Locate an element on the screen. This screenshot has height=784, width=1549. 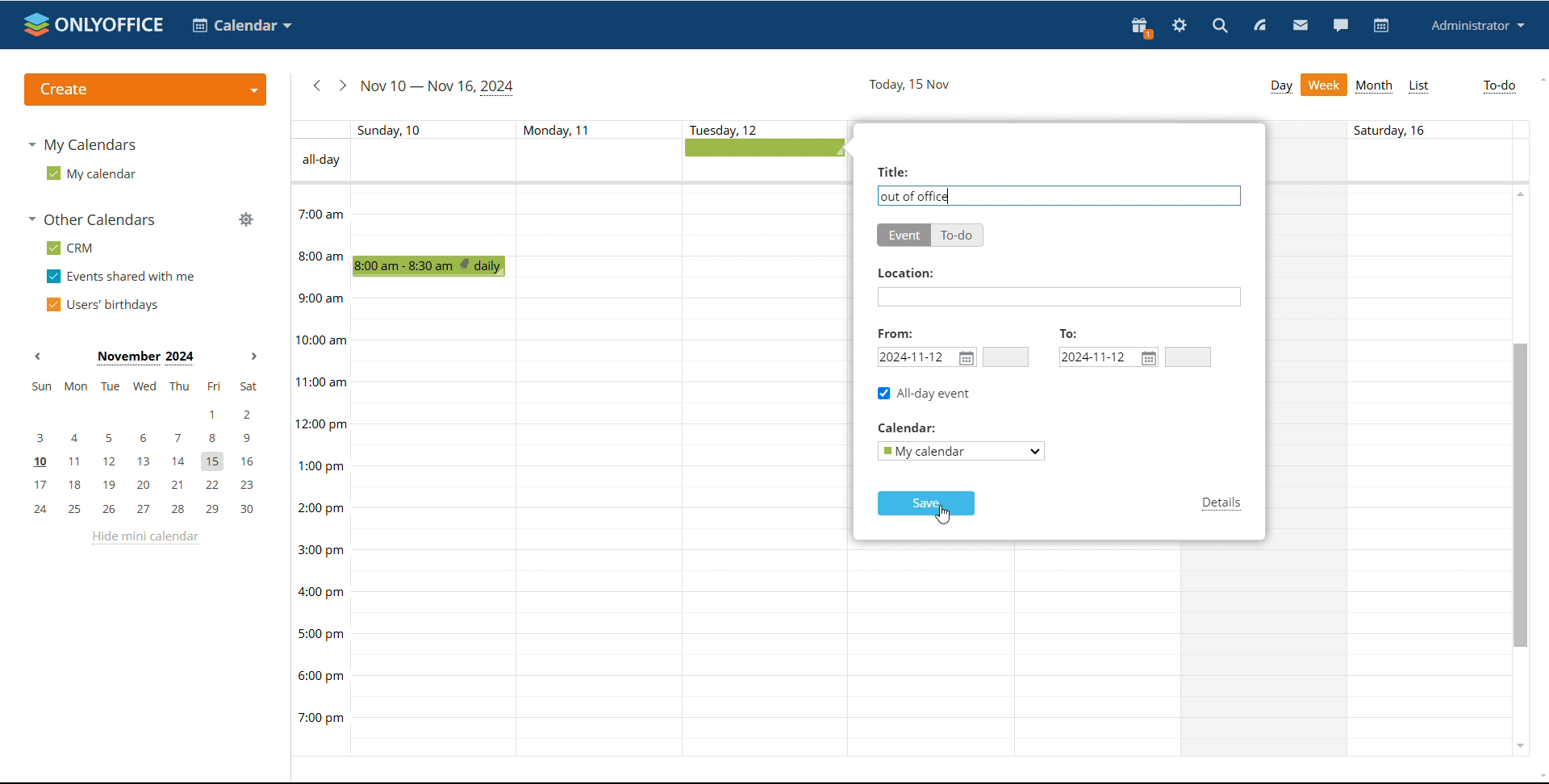
search is located at coordinates (1219, 26).